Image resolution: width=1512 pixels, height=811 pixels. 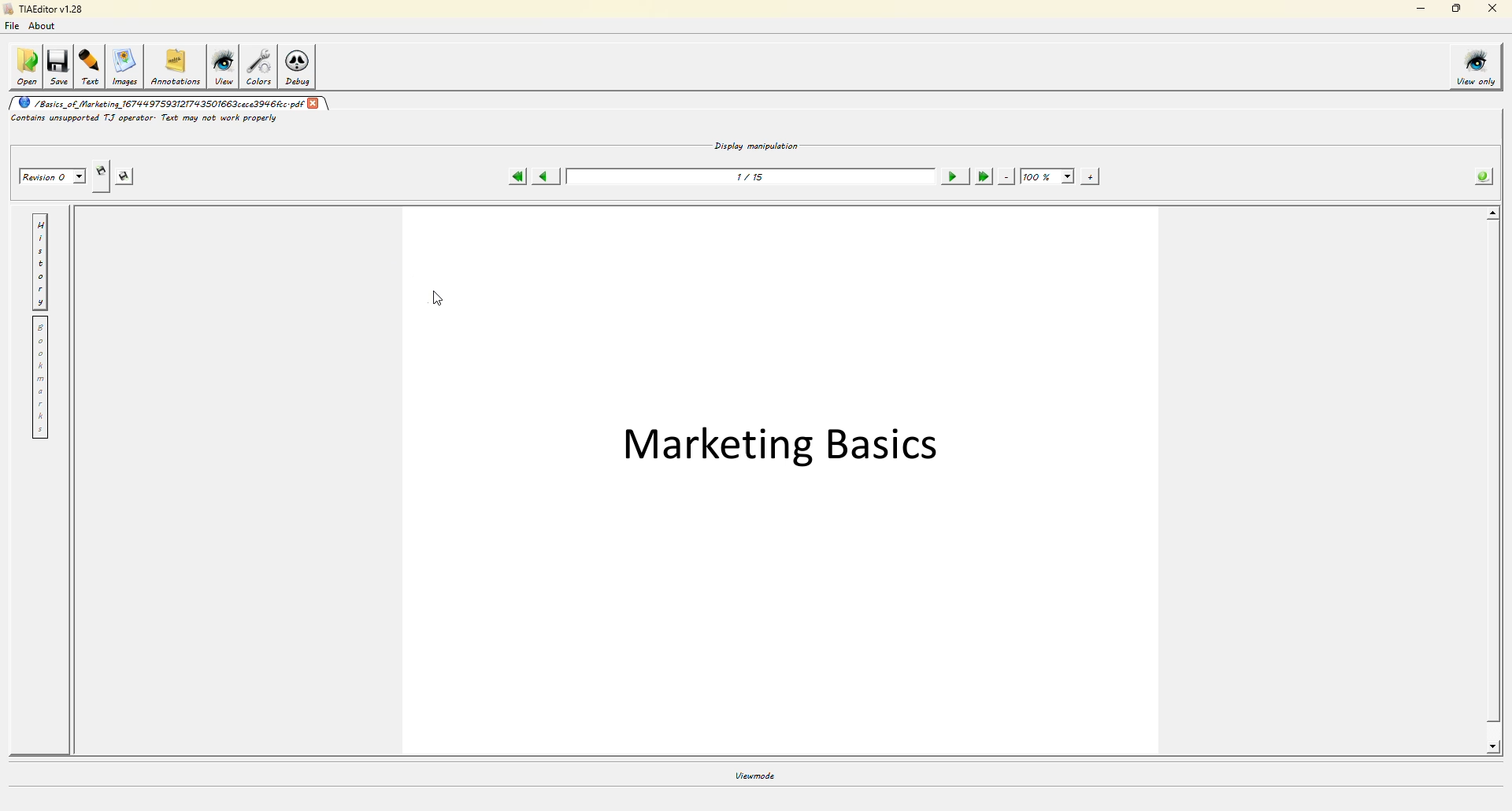 What do you see at coordinates (178, 104) in the screenshot?
I see `Basics_of_Marketing 1679%997/59312174 35071063 cece3I90kc pdf ` at bounding box center [178, 104].